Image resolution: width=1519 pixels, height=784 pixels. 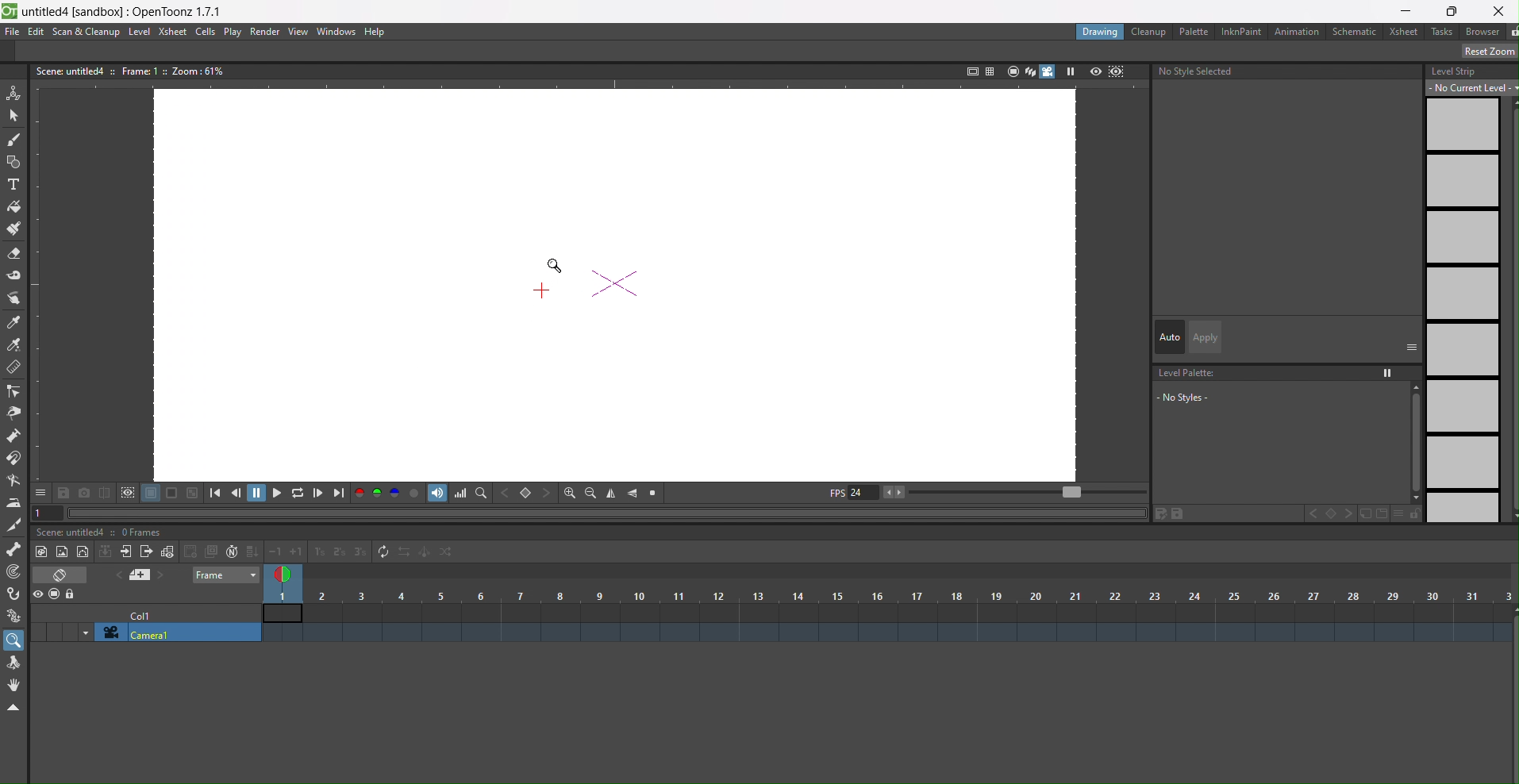 I want to click on camera, so click(x=170, y=633).